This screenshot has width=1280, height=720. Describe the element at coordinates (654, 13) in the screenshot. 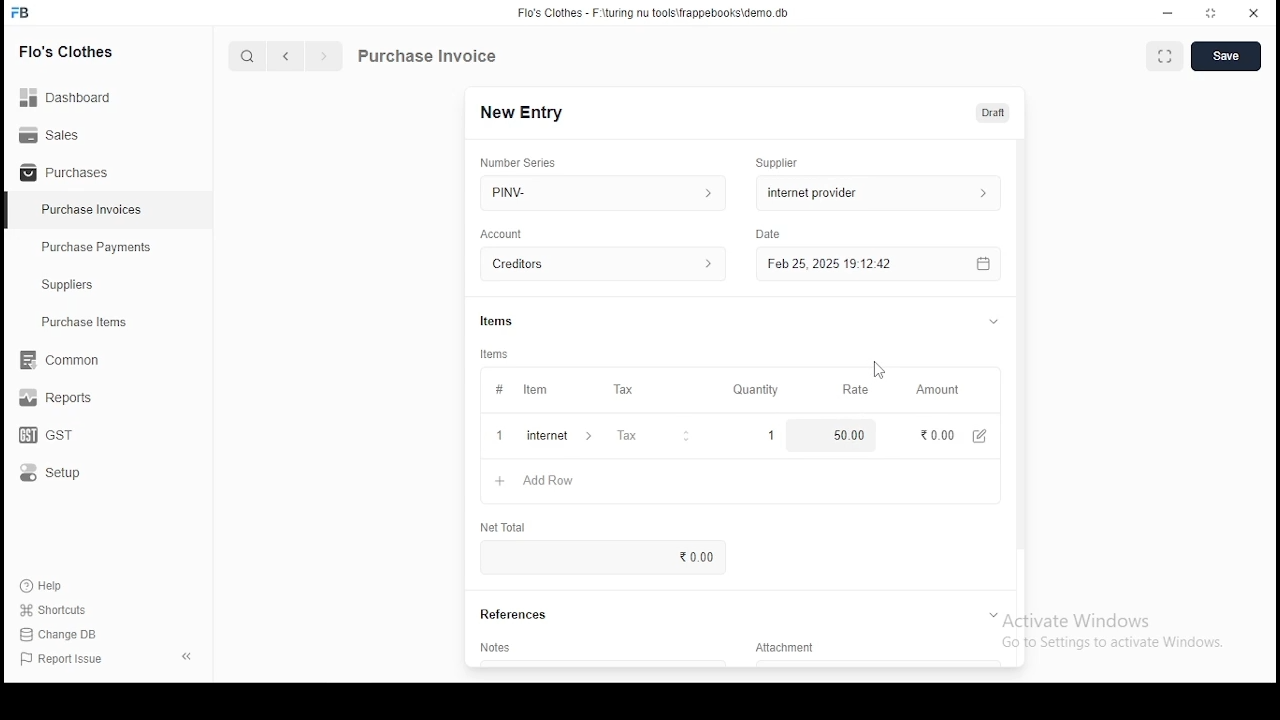

I see `flo's clothes - F:\turing nu tools\frappebooks\demo.db` at that location.